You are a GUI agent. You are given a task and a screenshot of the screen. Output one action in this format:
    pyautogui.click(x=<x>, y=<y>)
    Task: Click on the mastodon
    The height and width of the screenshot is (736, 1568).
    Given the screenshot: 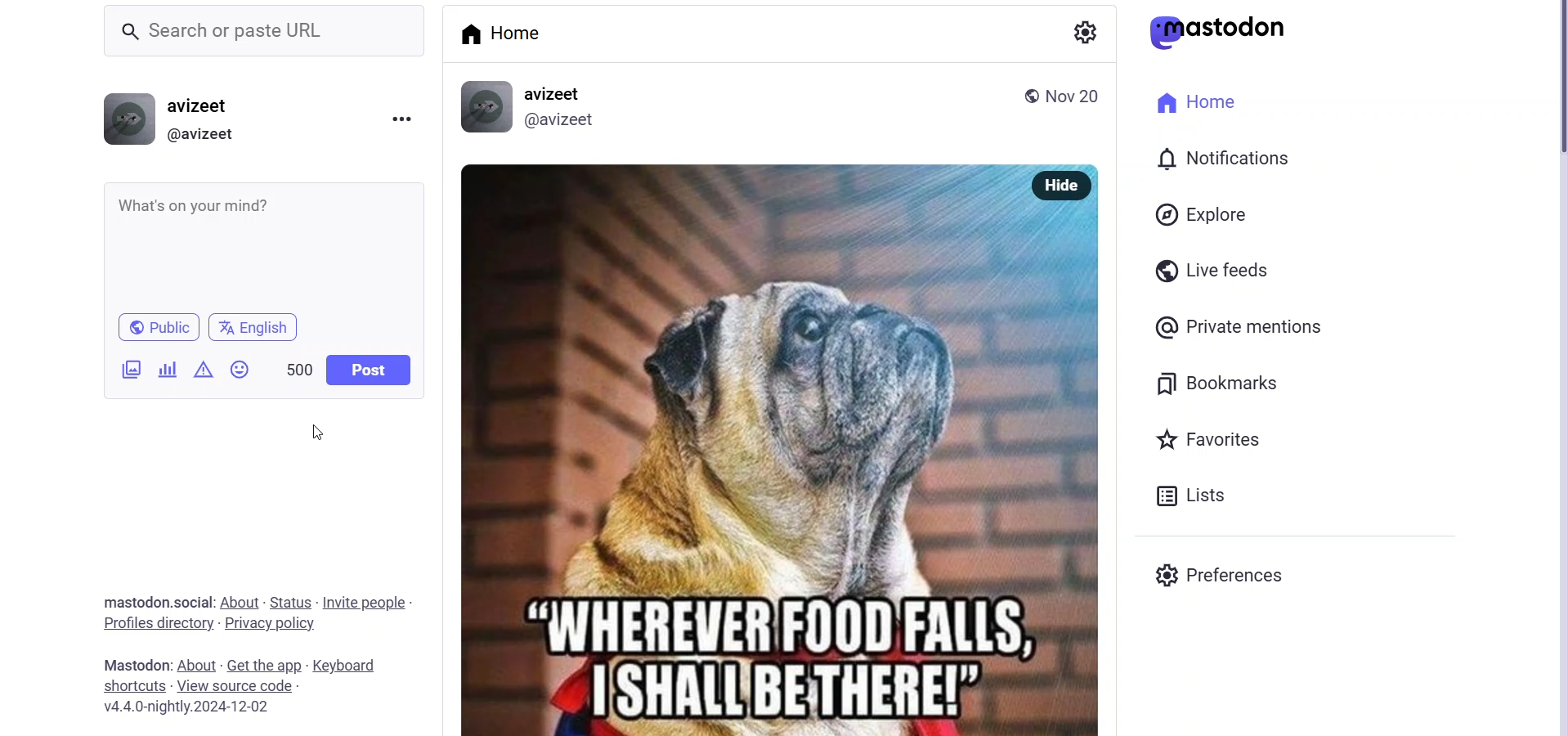 What is the action you would take?
    pyautogui.click(x=134, y=663)
    